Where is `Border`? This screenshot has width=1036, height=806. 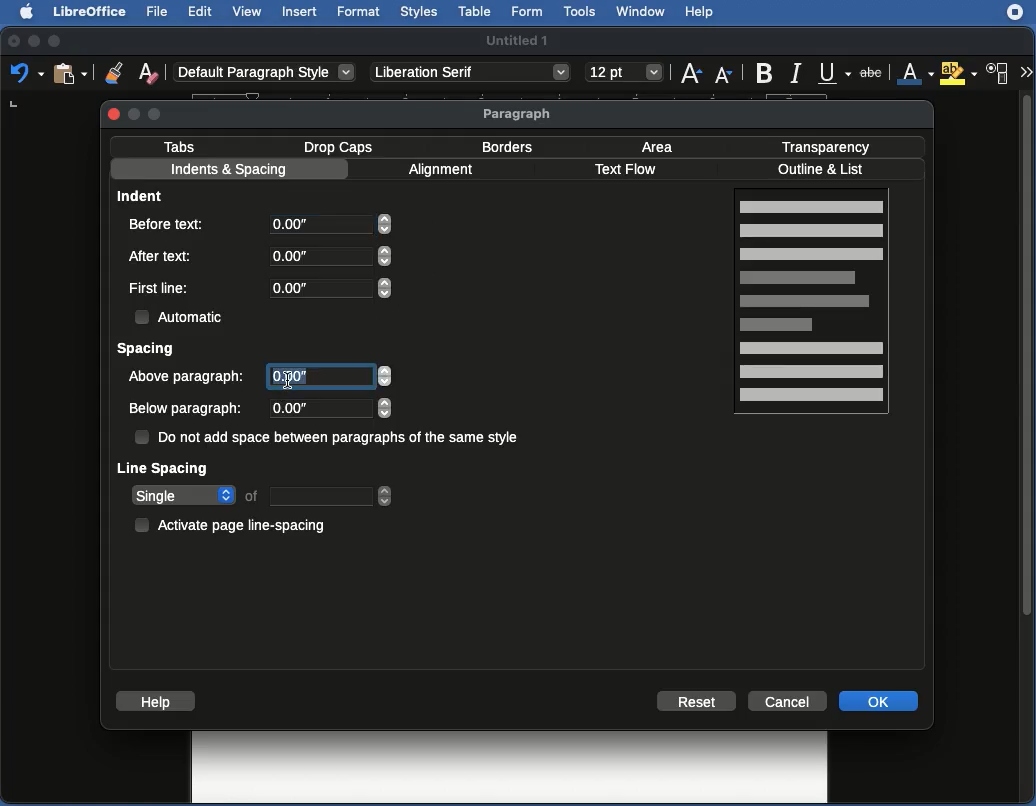
Border is located at coordinates (508, 147).